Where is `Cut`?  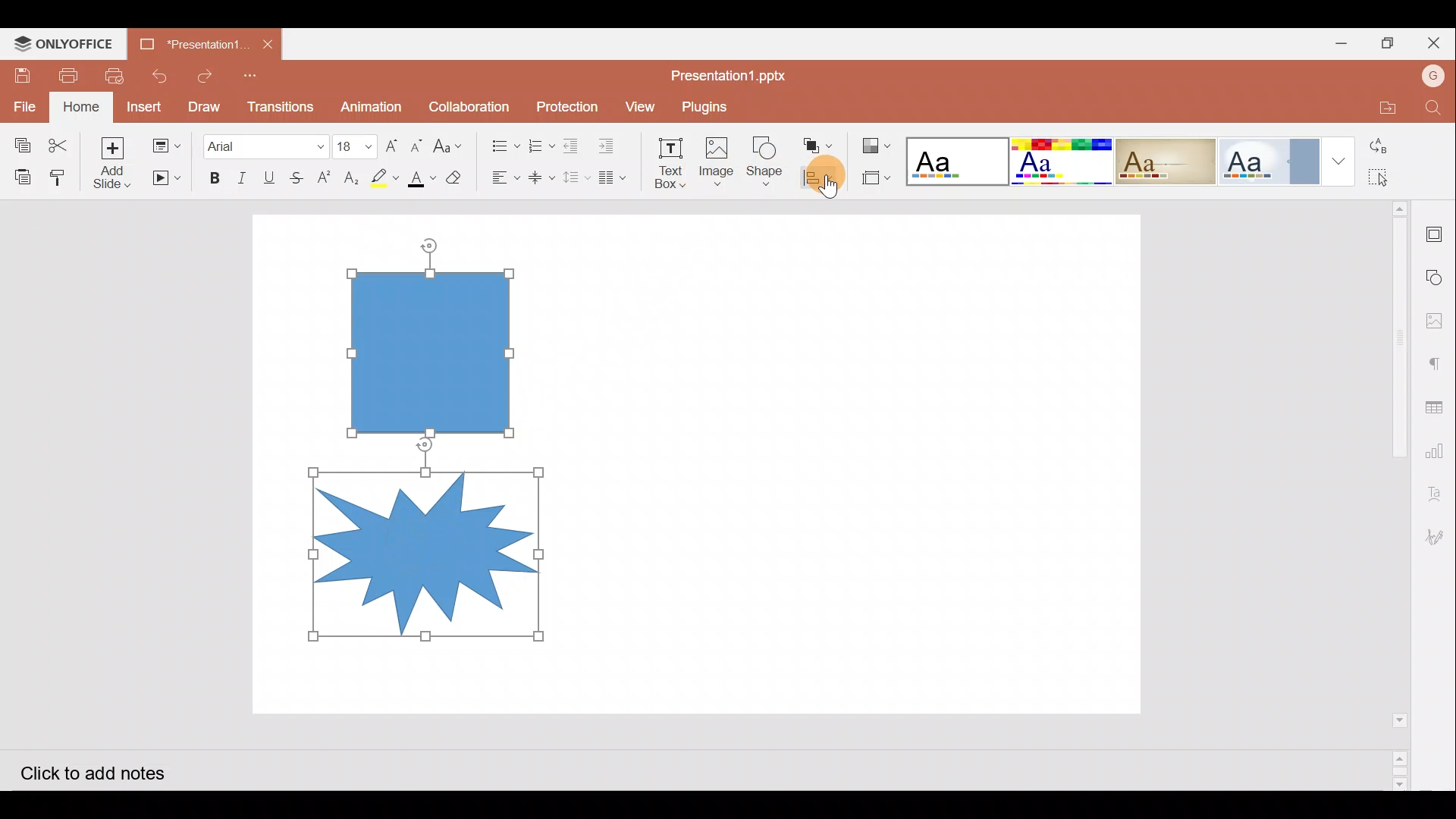
Cut is located at coordinates (58, 140).